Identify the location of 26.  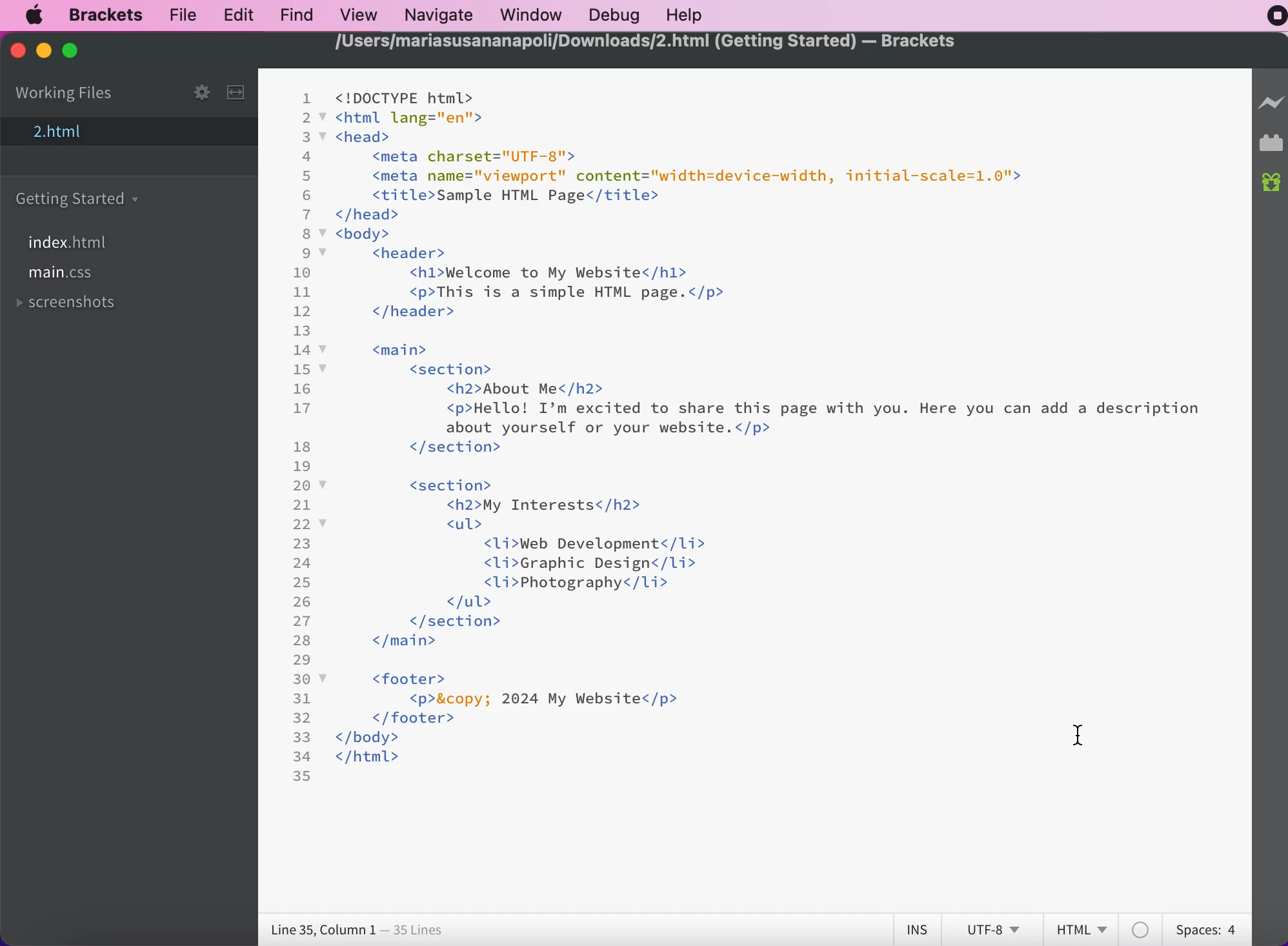
(302, 602).